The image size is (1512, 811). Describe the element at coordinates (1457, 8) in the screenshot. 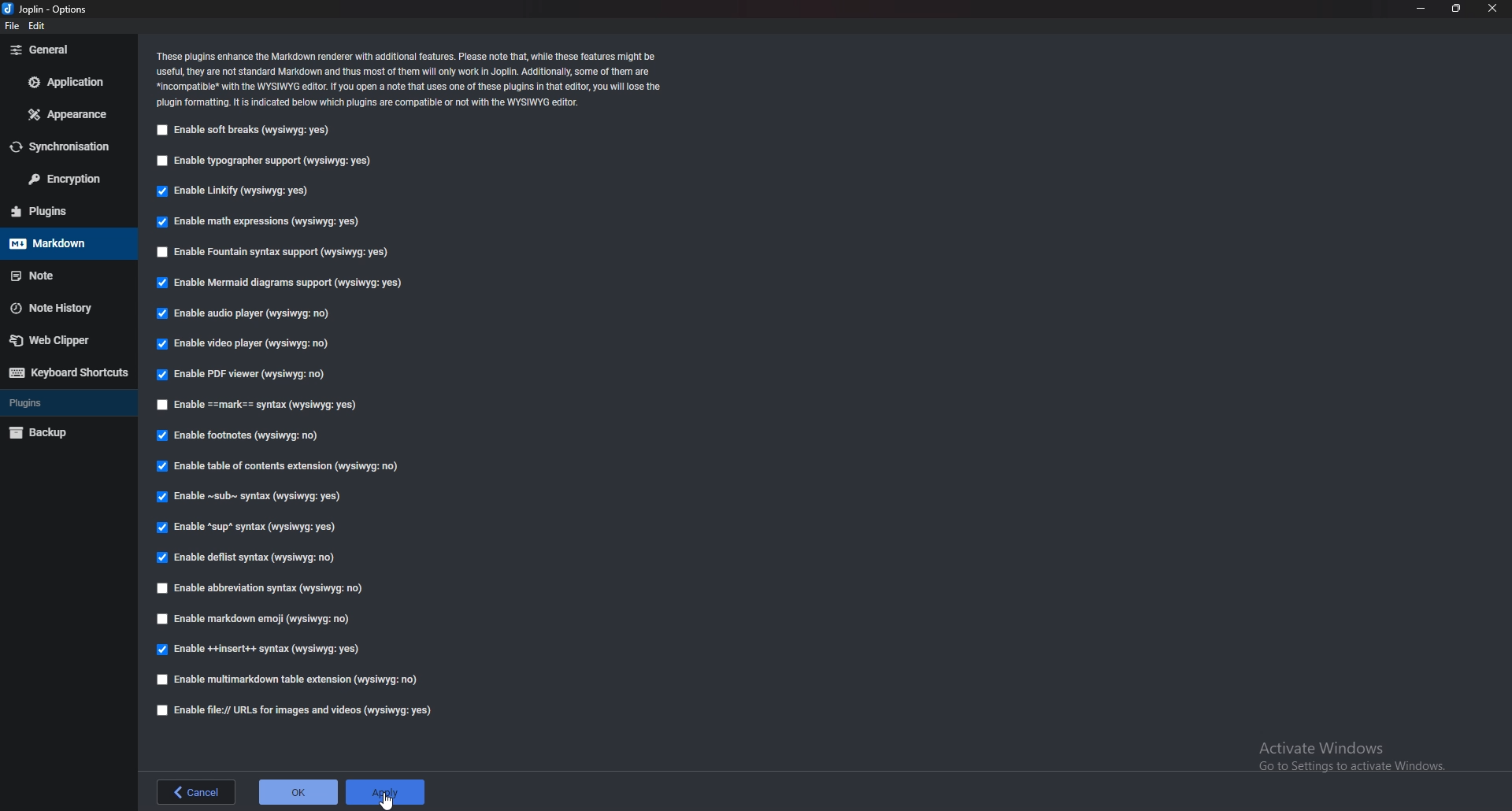

I see `Resize` at that location.